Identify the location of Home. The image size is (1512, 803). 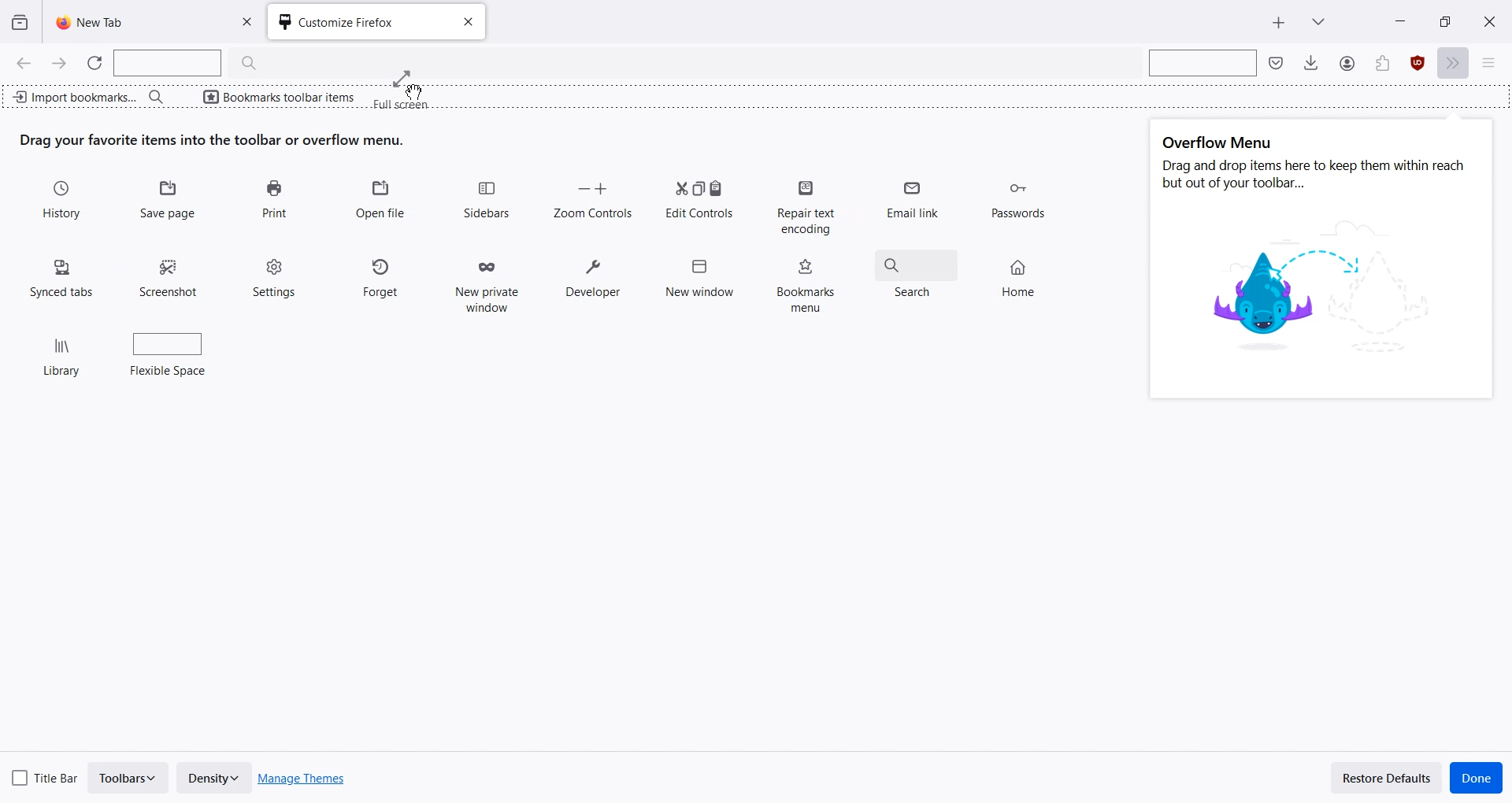
(1025, 271).